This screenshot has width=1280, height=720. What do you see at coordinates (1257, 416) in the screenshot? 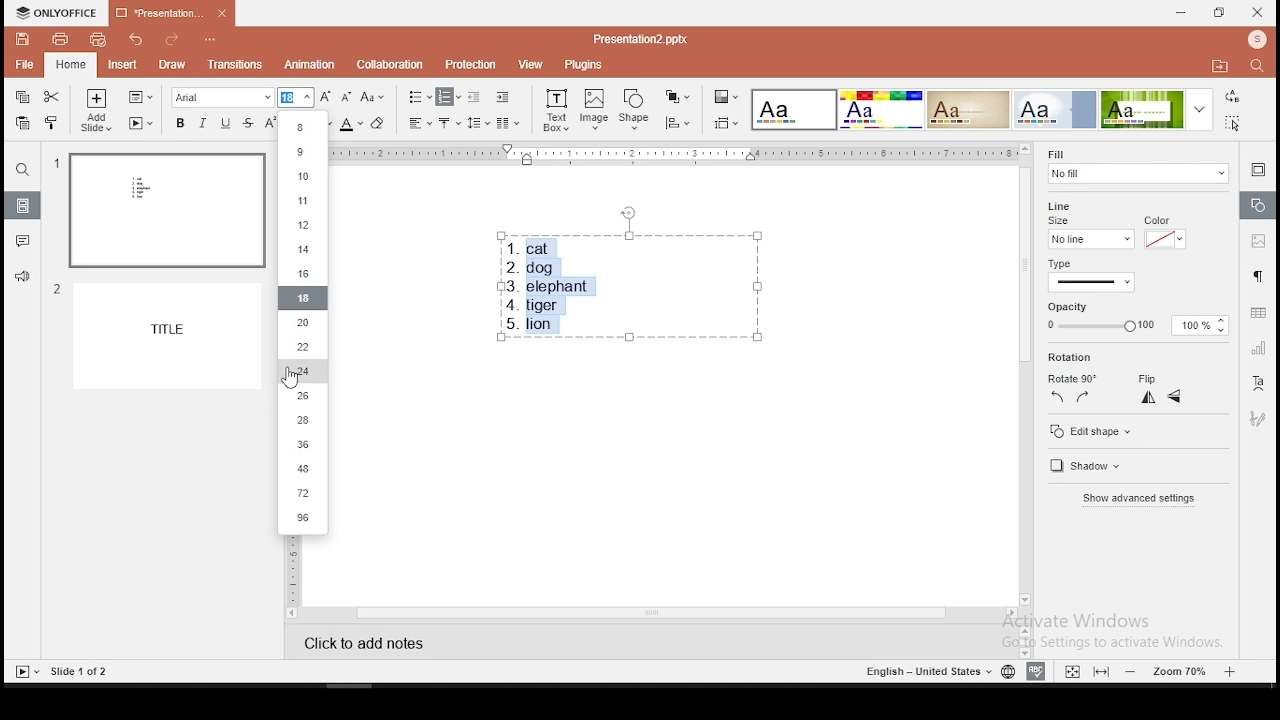
I see `` at bounding box center [1257, 416].